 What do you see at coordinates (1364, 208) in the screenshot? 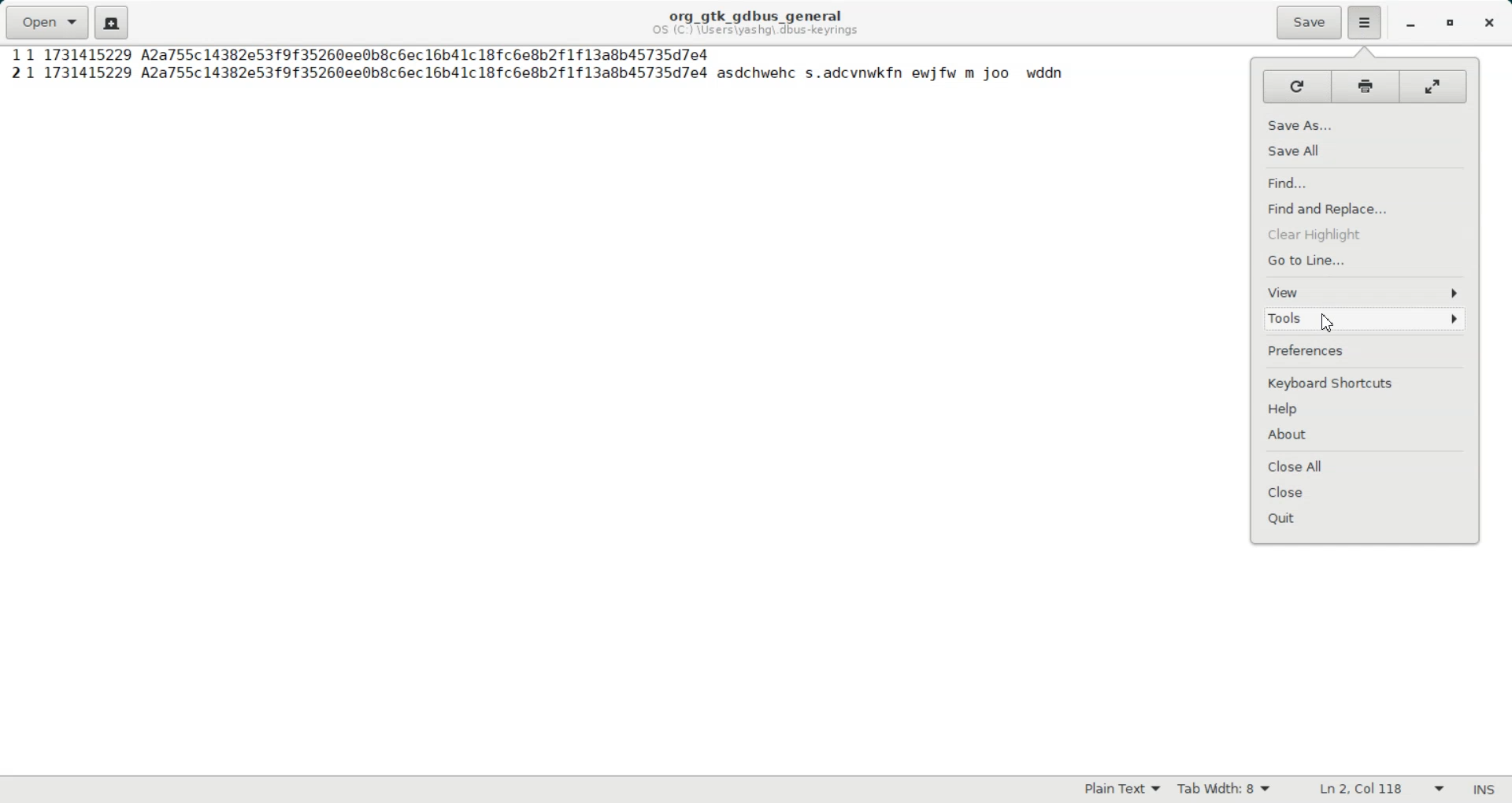
I see `Find and Replace` at bounding box center [1364, 208].